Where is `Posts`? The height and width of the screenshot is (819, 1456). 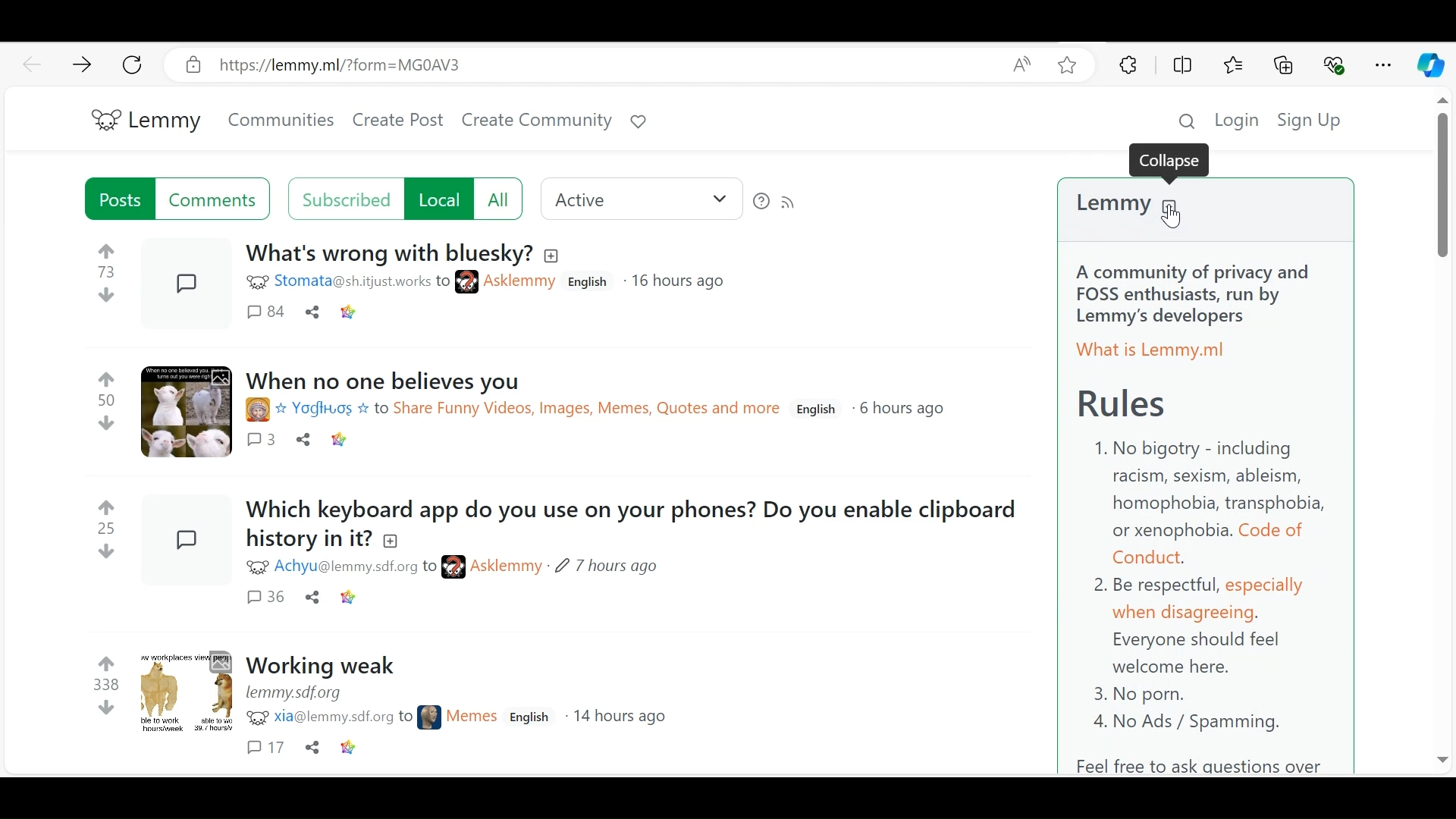 Posts is located at coordinates (120, 198).